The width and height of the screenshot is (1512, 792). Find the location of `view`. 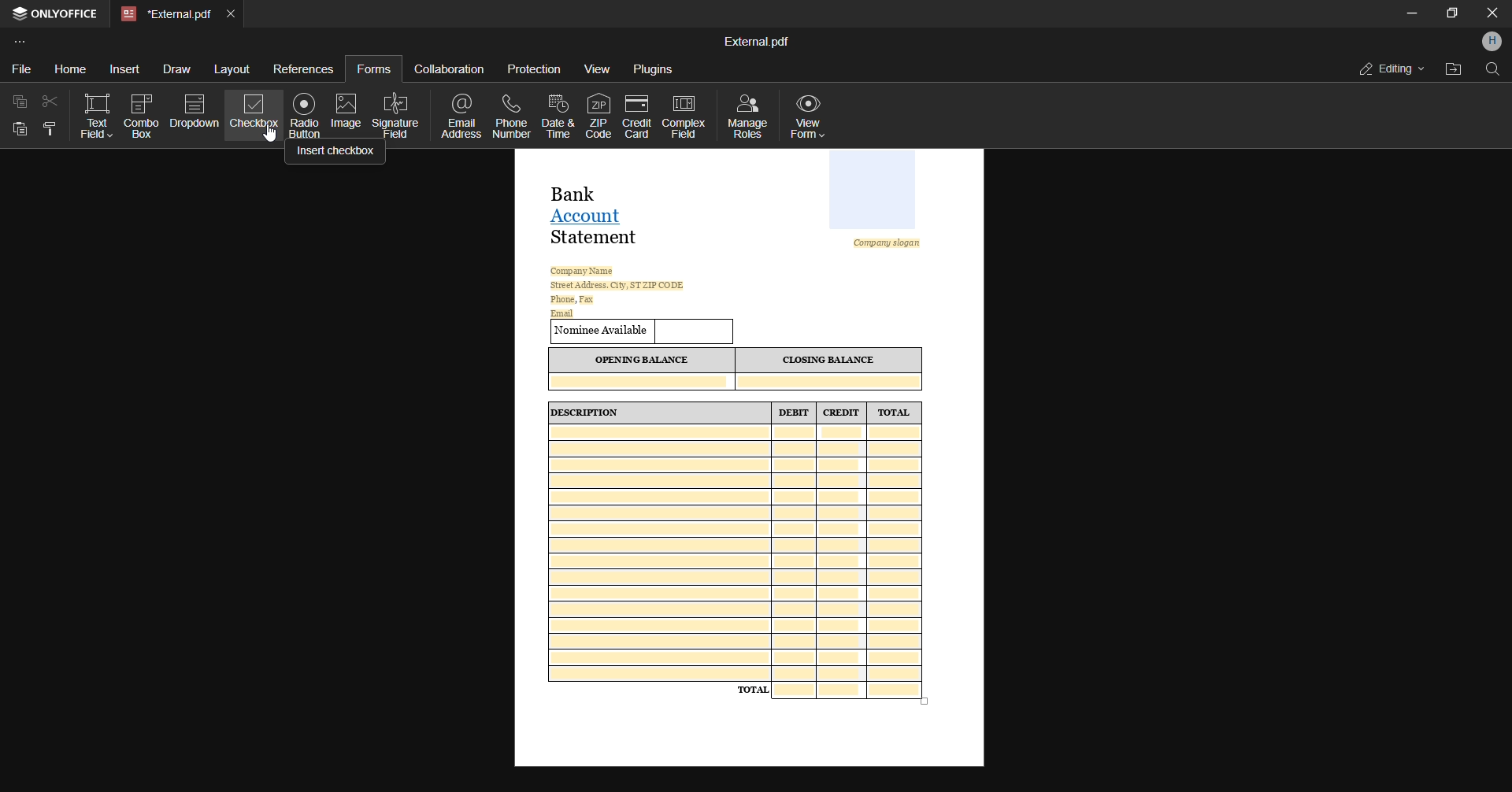

view is located at coordinates (598, 69).